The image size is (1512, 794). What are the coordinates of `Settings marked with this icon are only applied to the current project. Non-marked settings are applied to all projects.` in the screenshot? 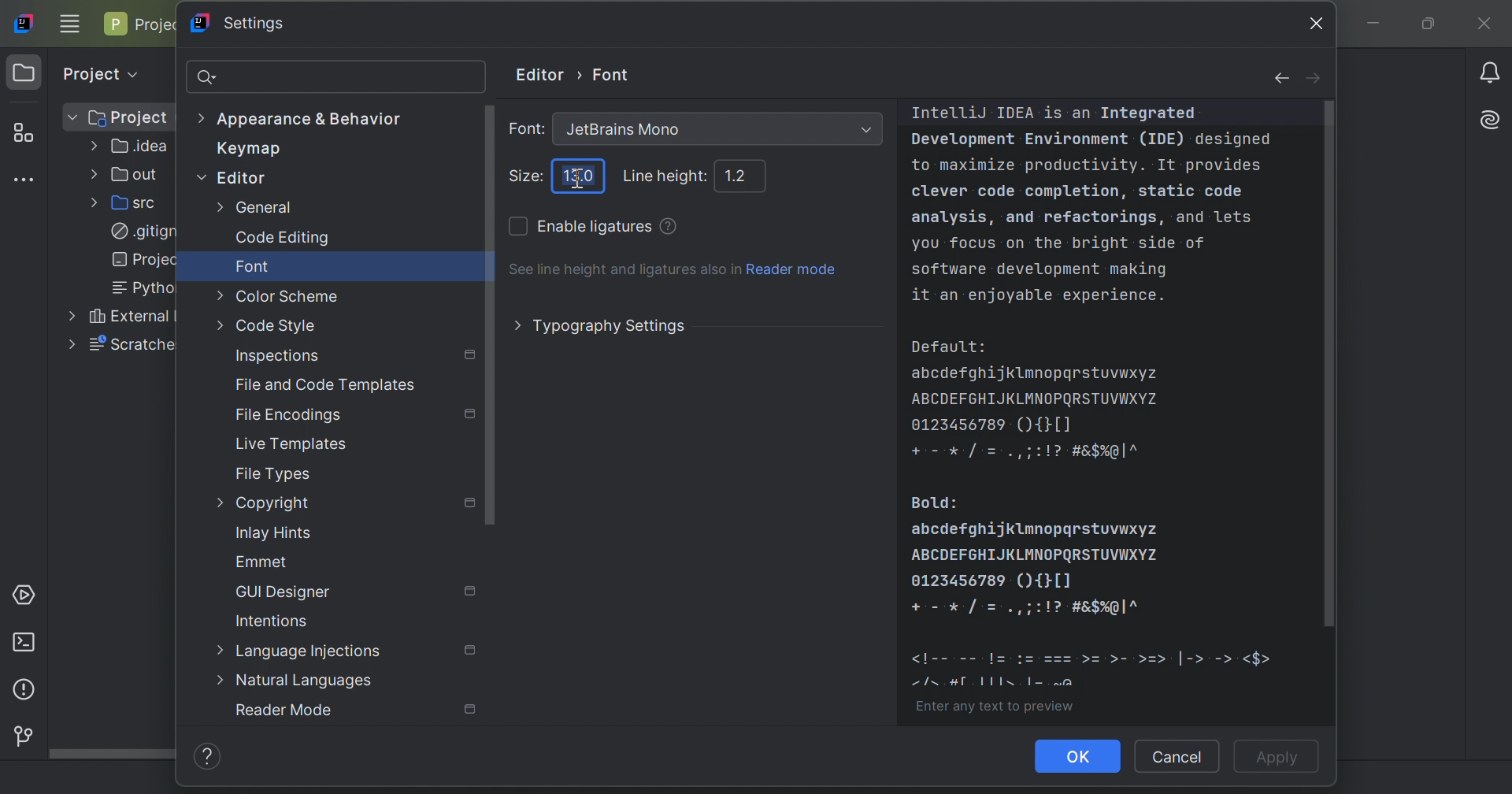 It's located at (472, 711).